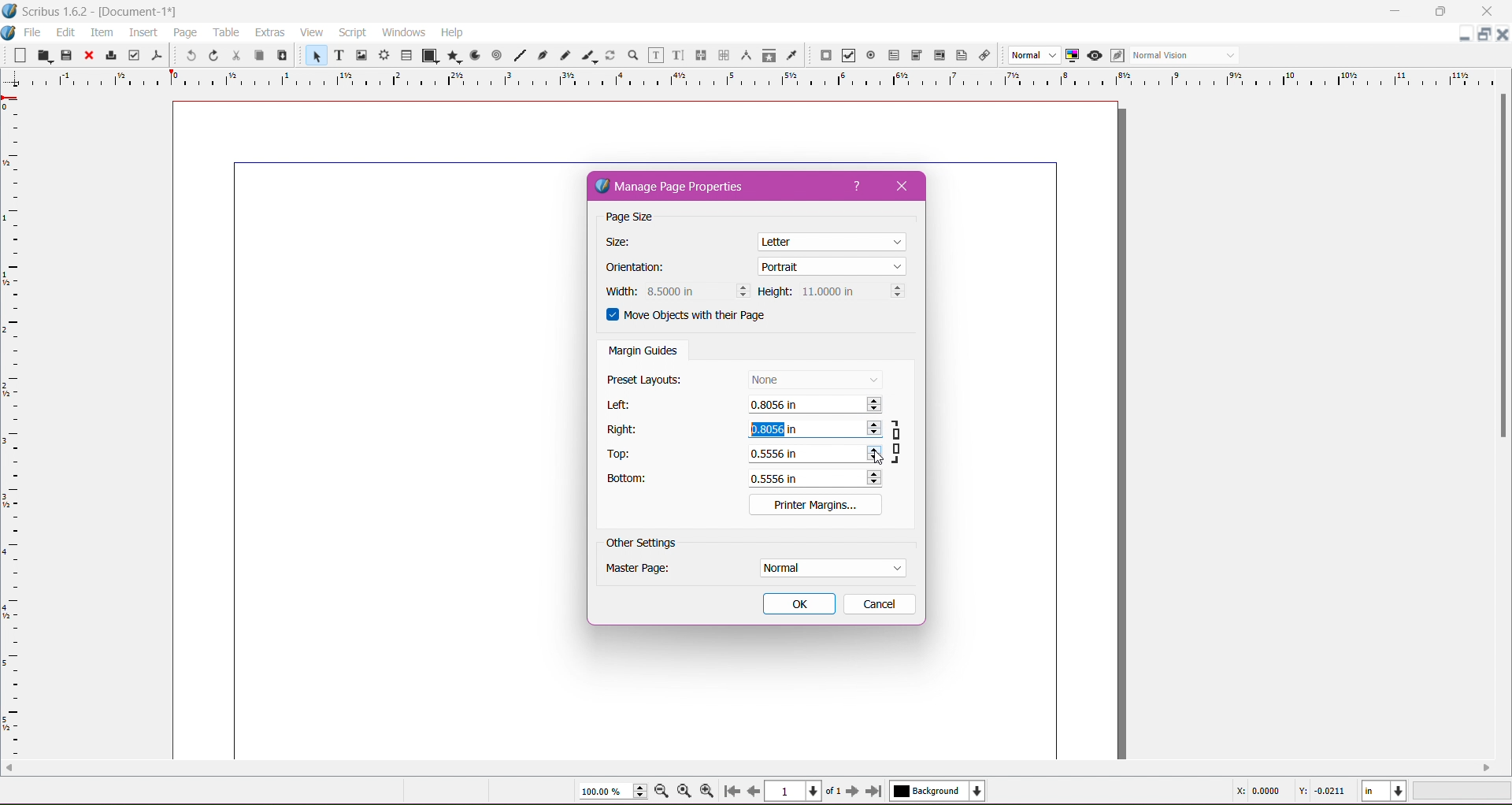  Describe the element at coordinates (825, 56) in the screenshot. I see `PDF Push Button` at that location.